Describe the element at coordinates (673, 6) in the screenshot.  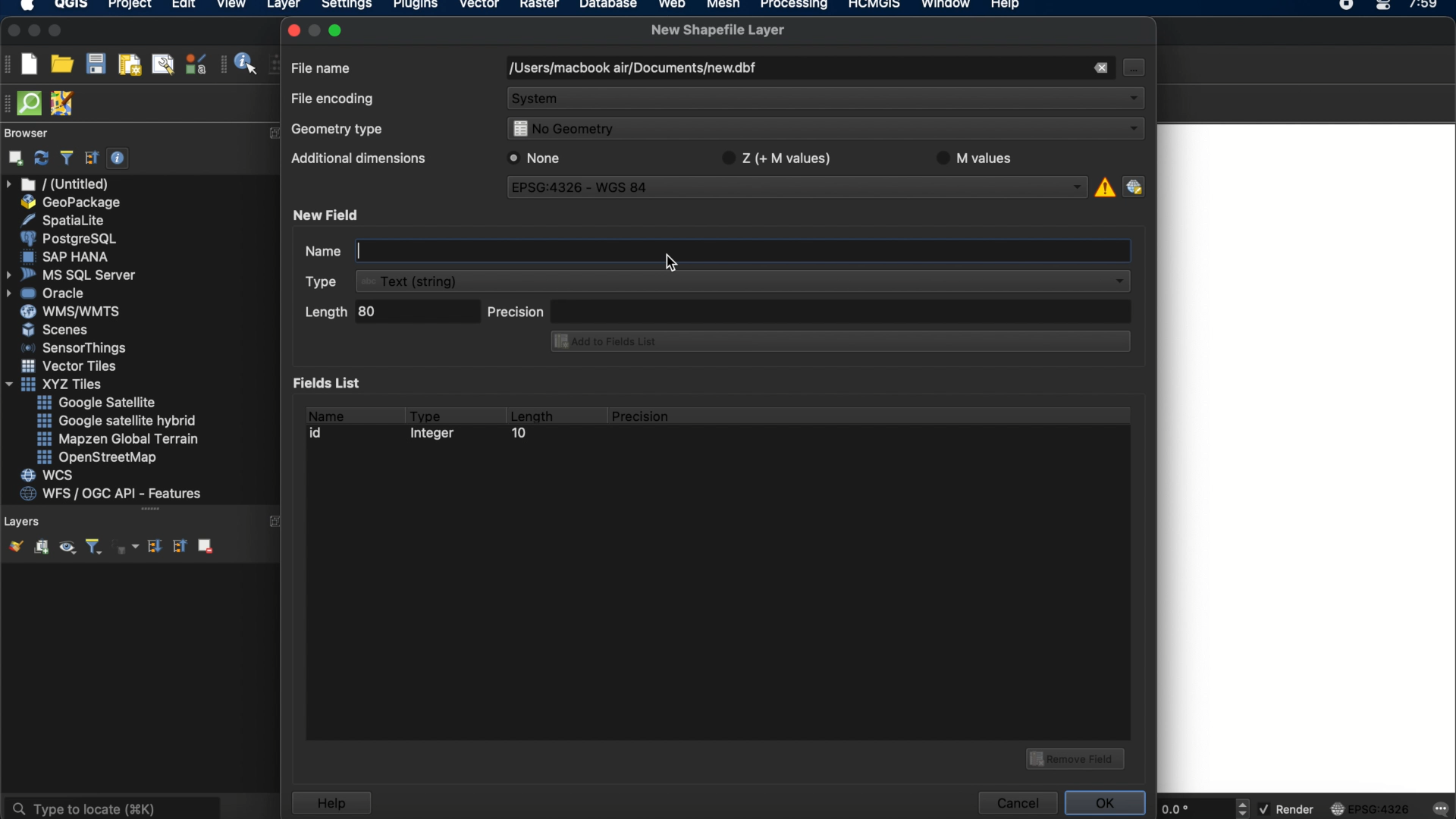
I see `web` at that location.